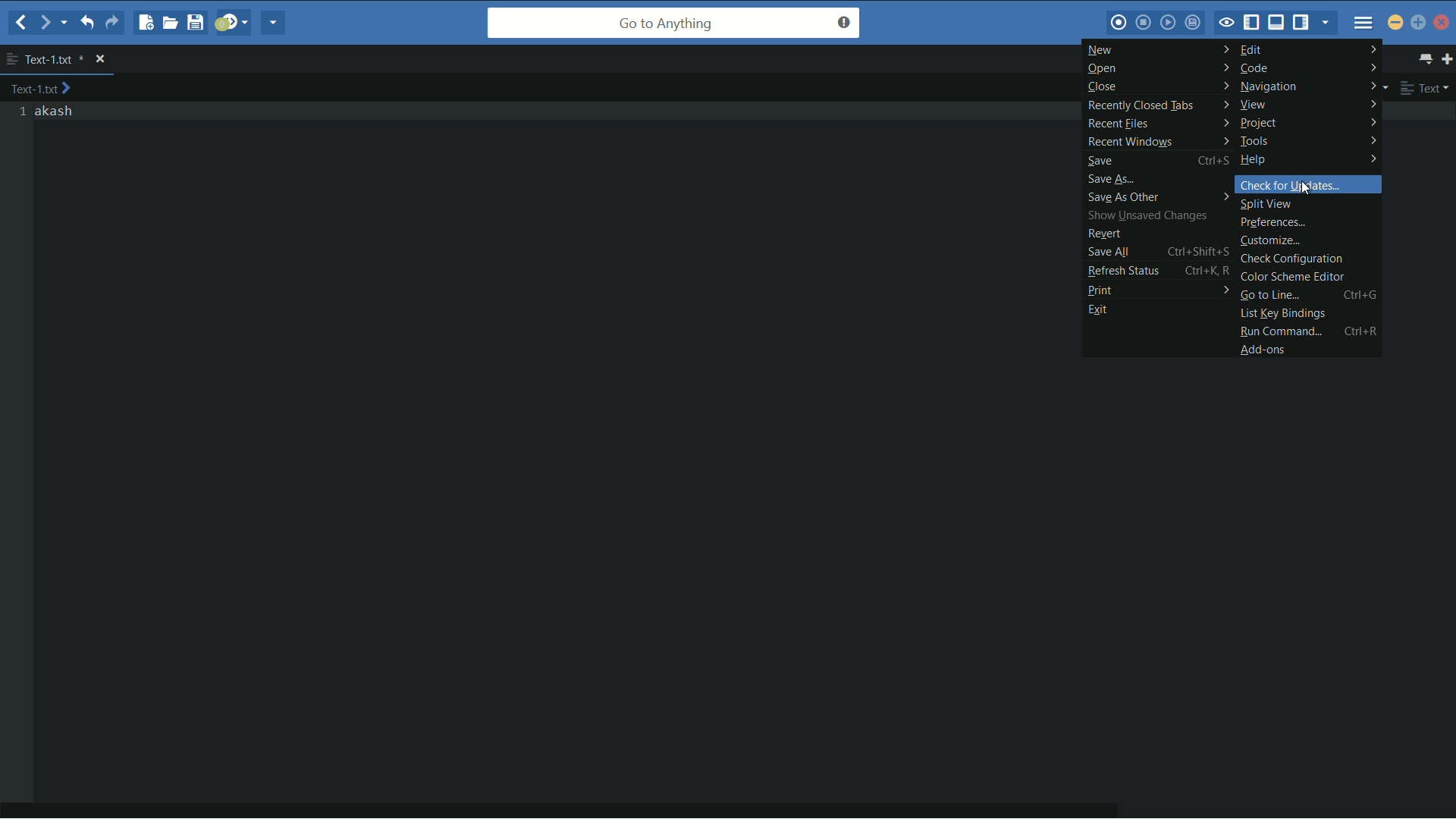 This screenshot has height=819, width=1456. I want to click on split view, so click(1308, 203).